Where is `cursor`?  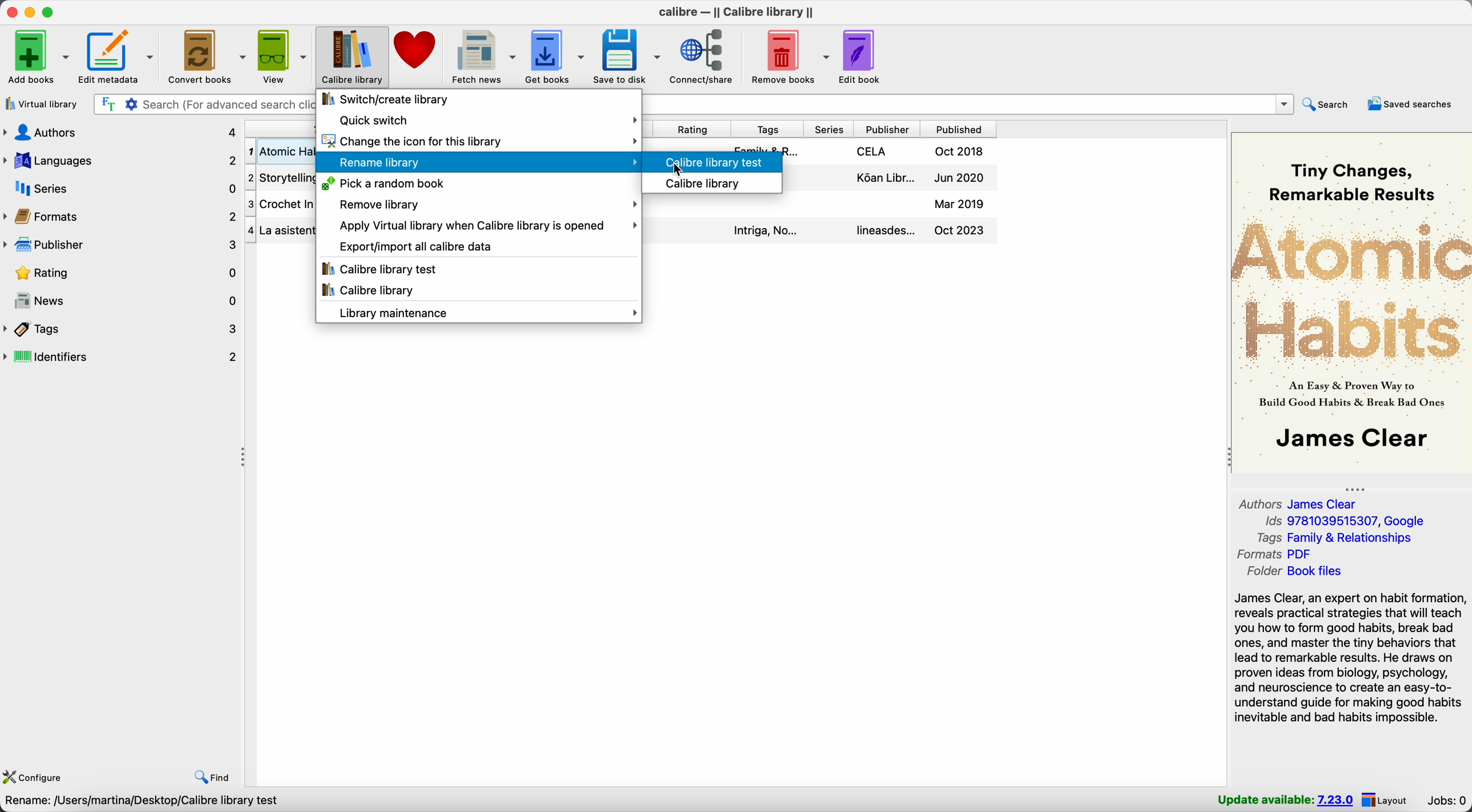
cursor is located at coordinates (681, 170).